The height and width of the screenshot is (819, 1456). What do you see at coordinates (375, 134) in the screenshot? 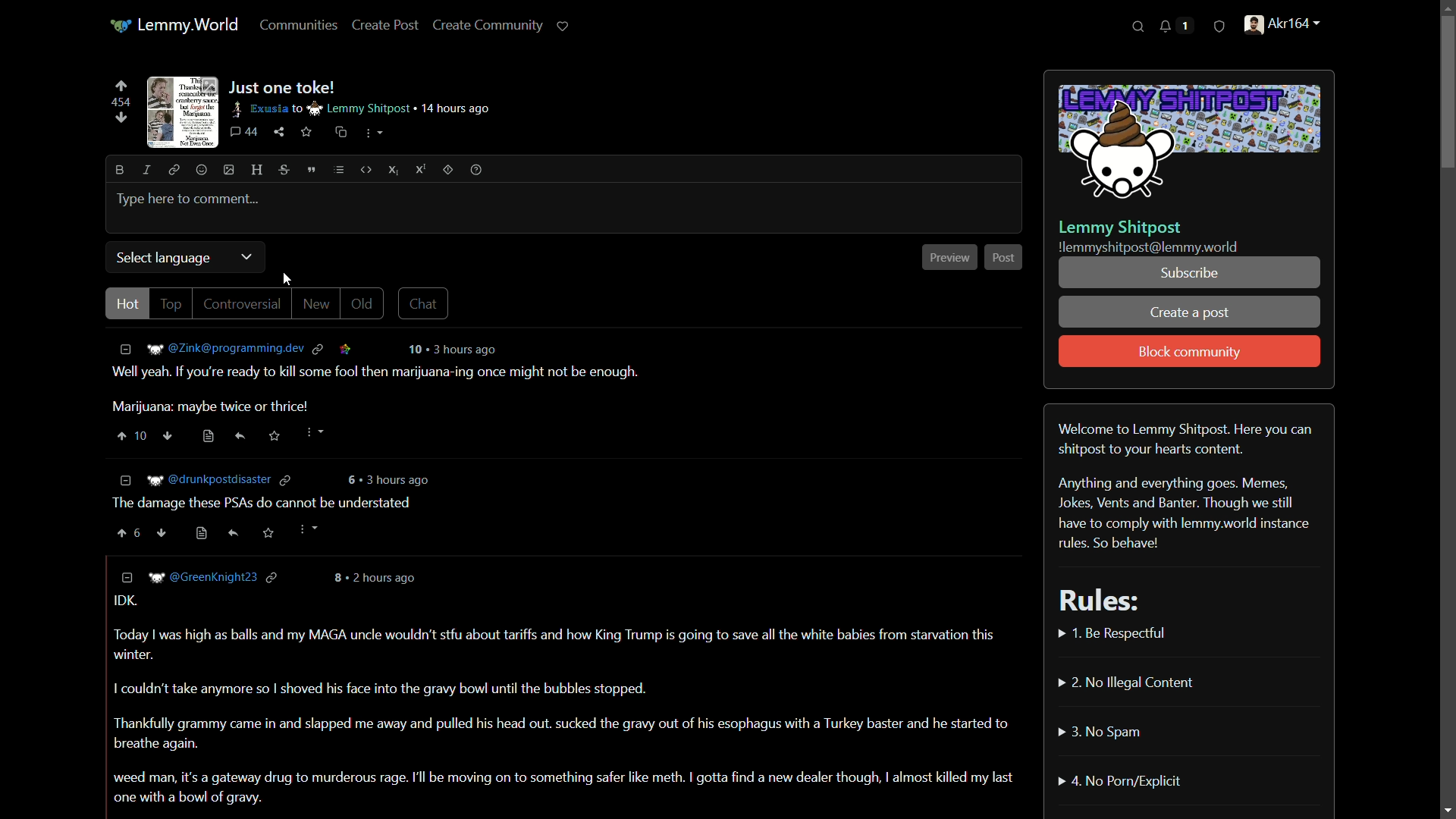
I see `more actions` at bounding box center [375, 134].